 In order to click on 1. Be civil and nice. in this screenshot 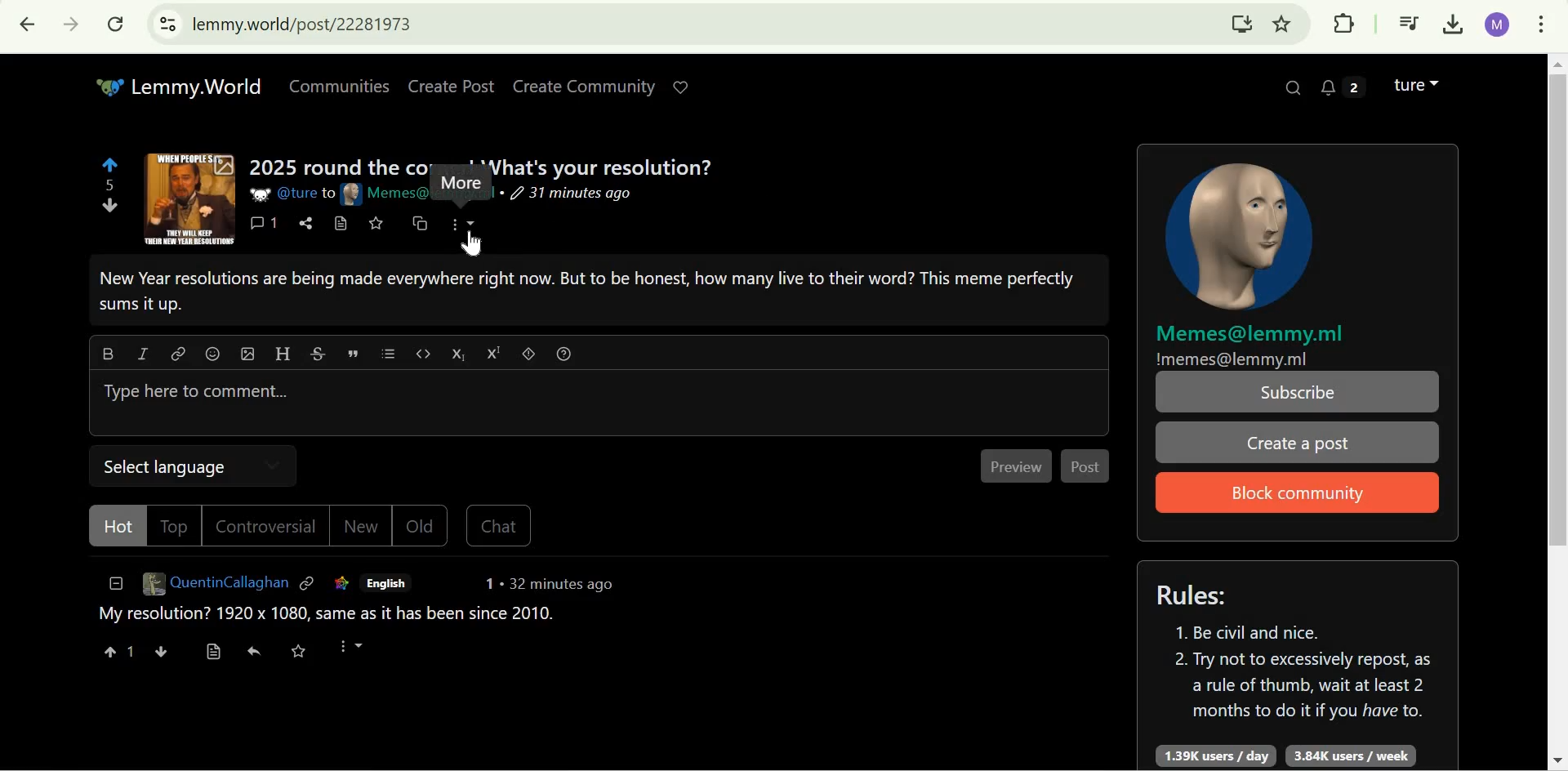, I will do `click(1258, 633)`.